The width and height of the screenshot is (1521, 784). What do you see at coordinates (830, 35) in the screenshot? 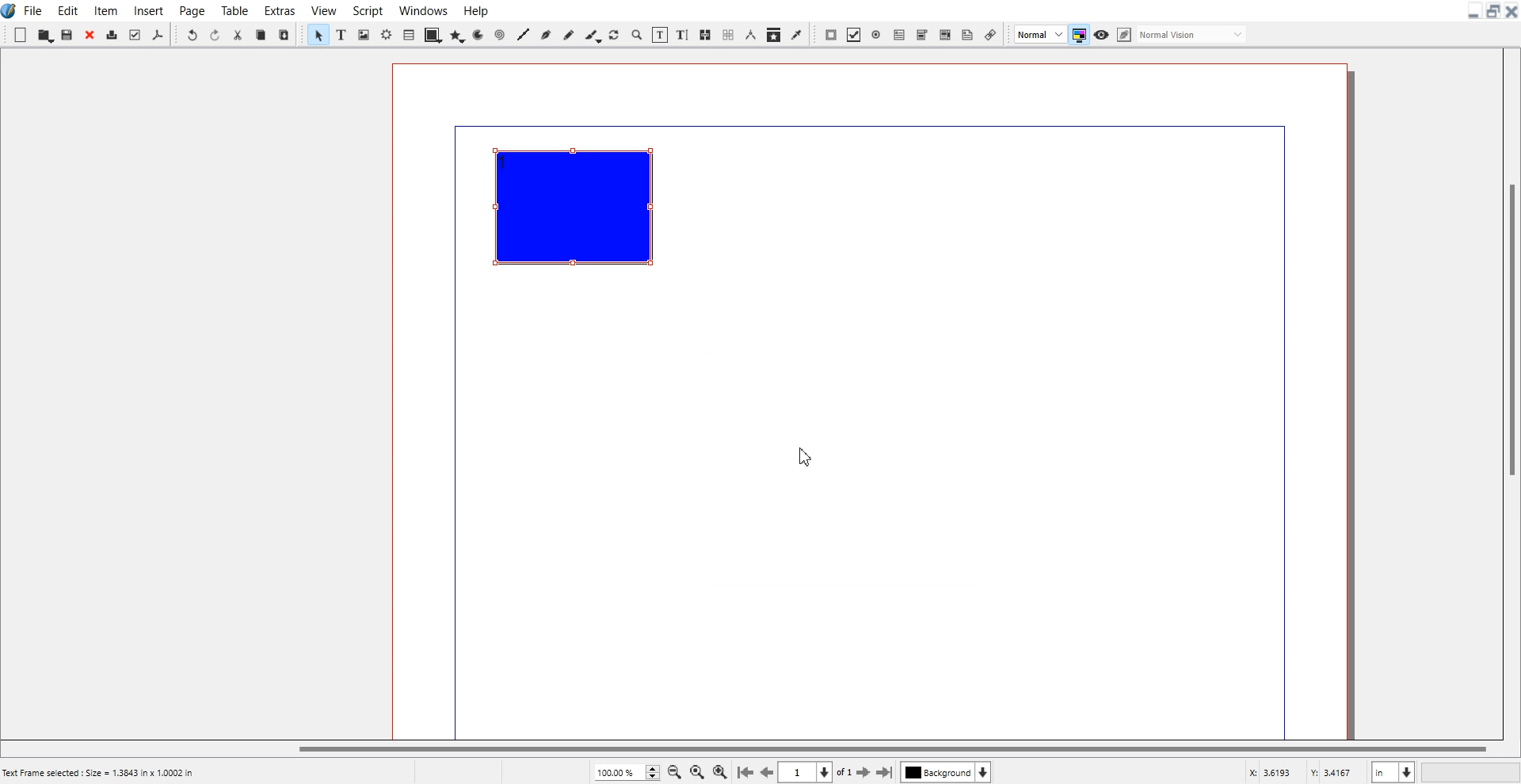
I see `PDF Push Button` at bounding box center [830, 35].